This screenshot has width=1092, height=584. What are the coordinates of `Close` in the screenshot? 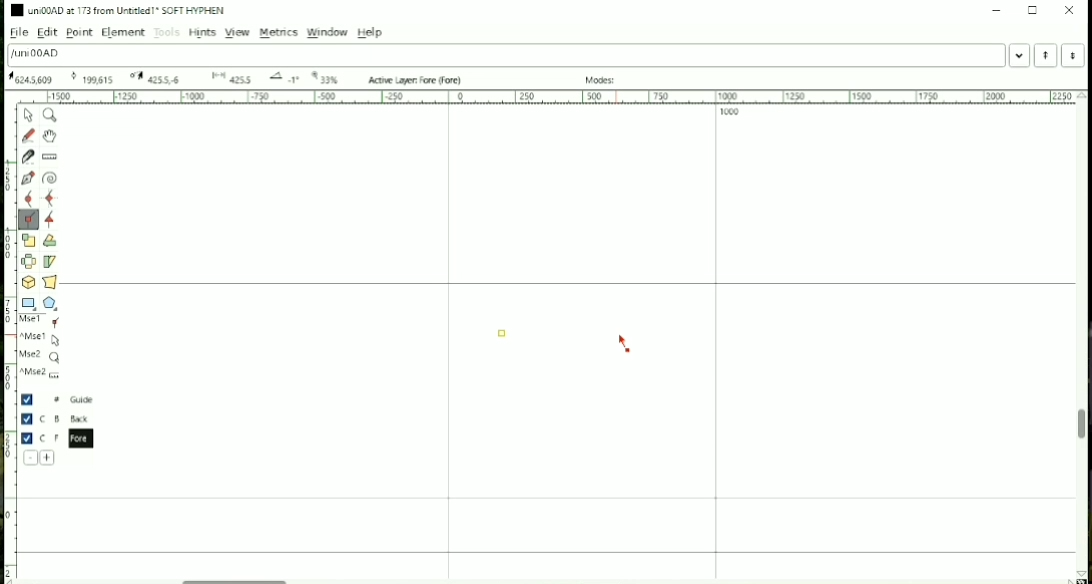 It's located at (1070, 10).